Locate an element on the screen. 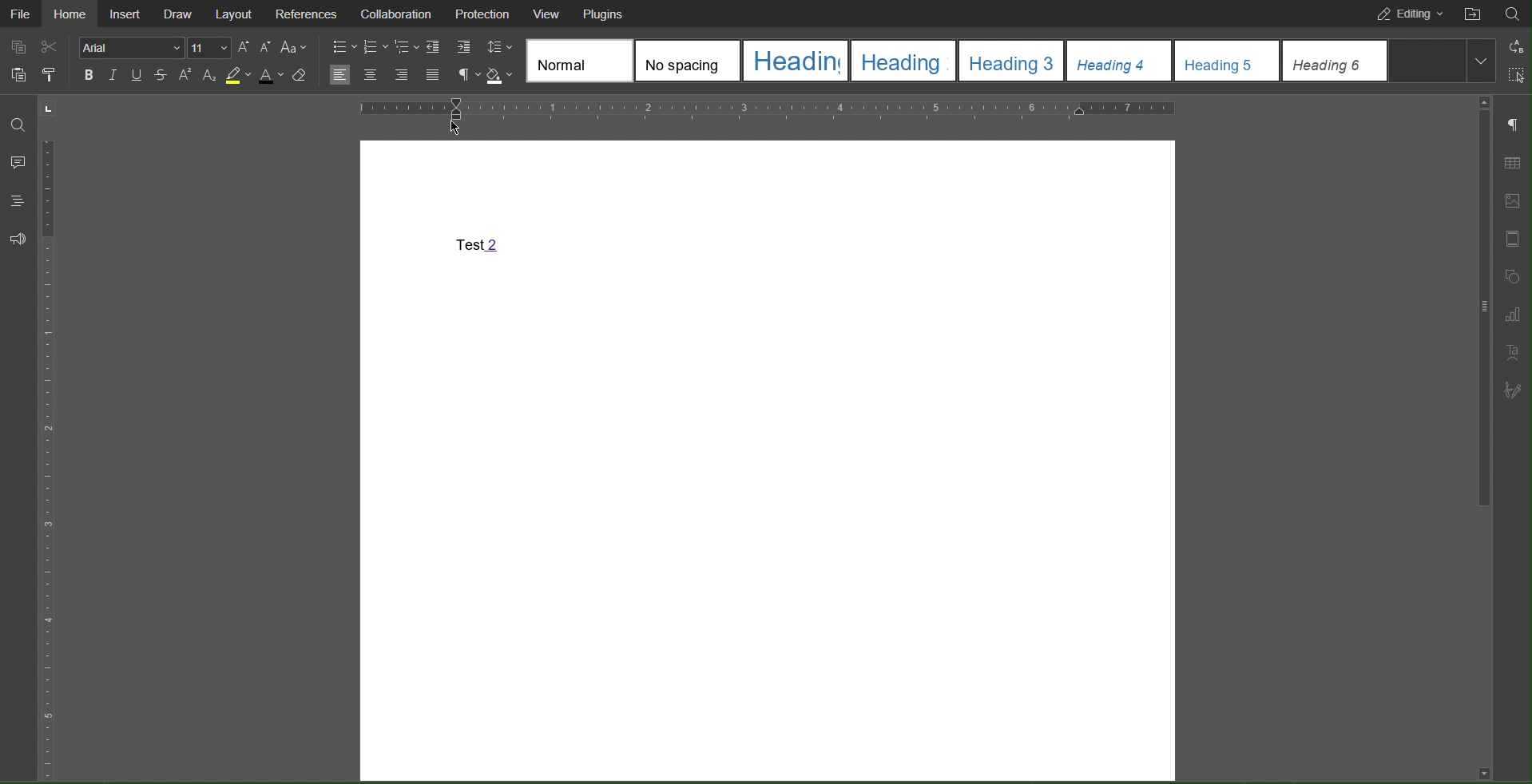 The height and width of the screenshot is (784, 1532). Plugins is located at coordinates (605, 14).